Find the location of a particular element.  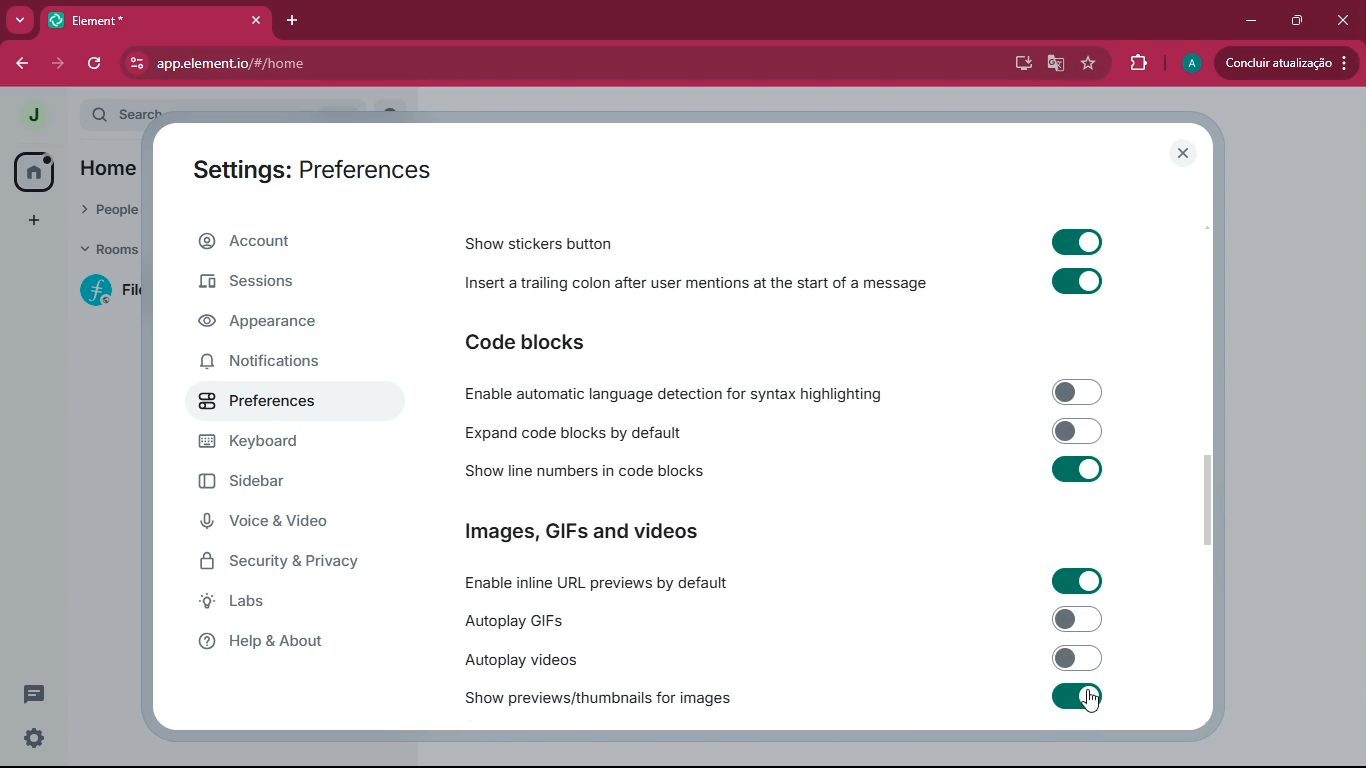

scroll bar is located at coordinates (1215, 499).